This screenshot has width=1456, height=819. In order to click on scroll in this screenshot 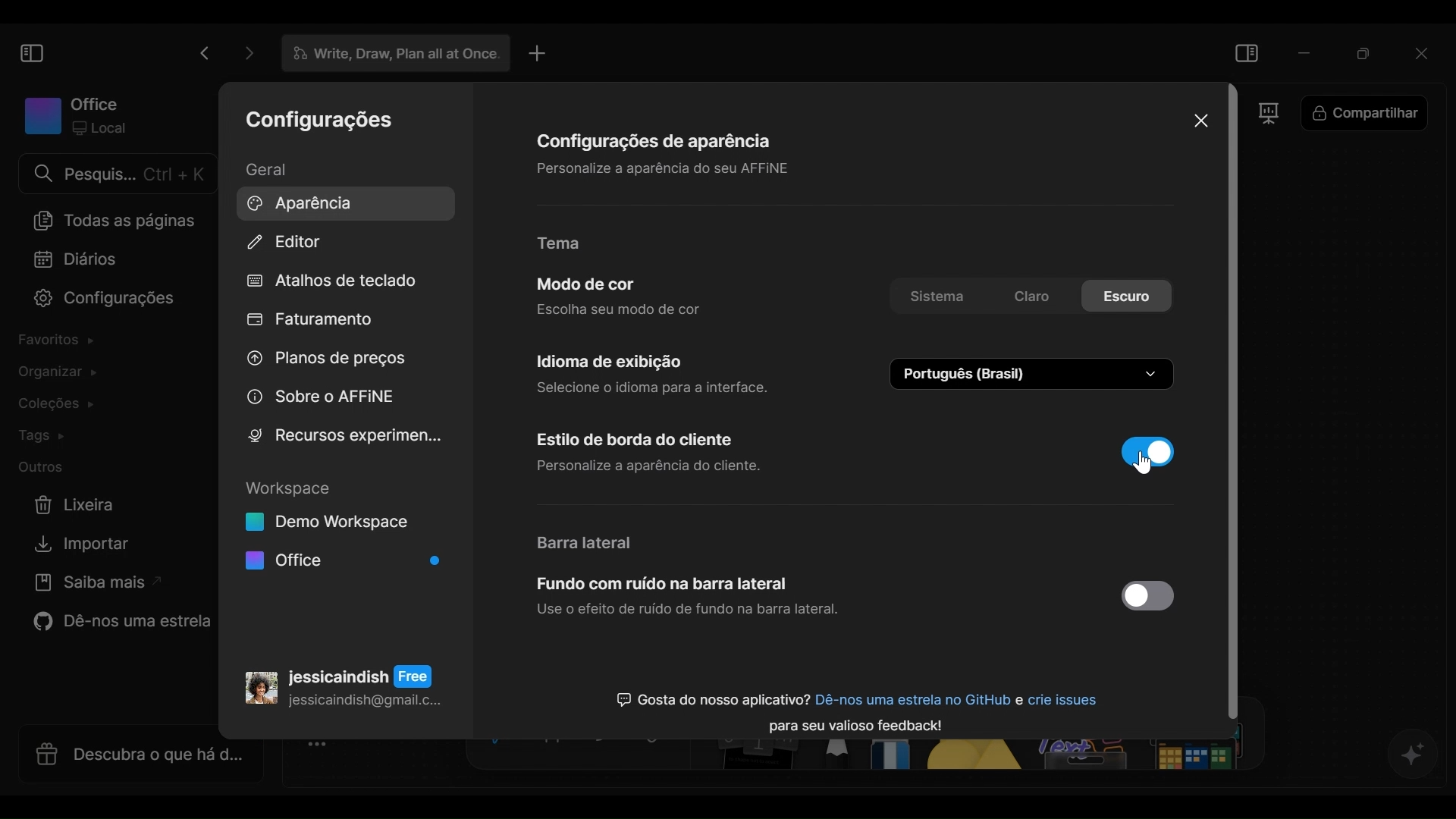, I will do `click(1238, 405)`.